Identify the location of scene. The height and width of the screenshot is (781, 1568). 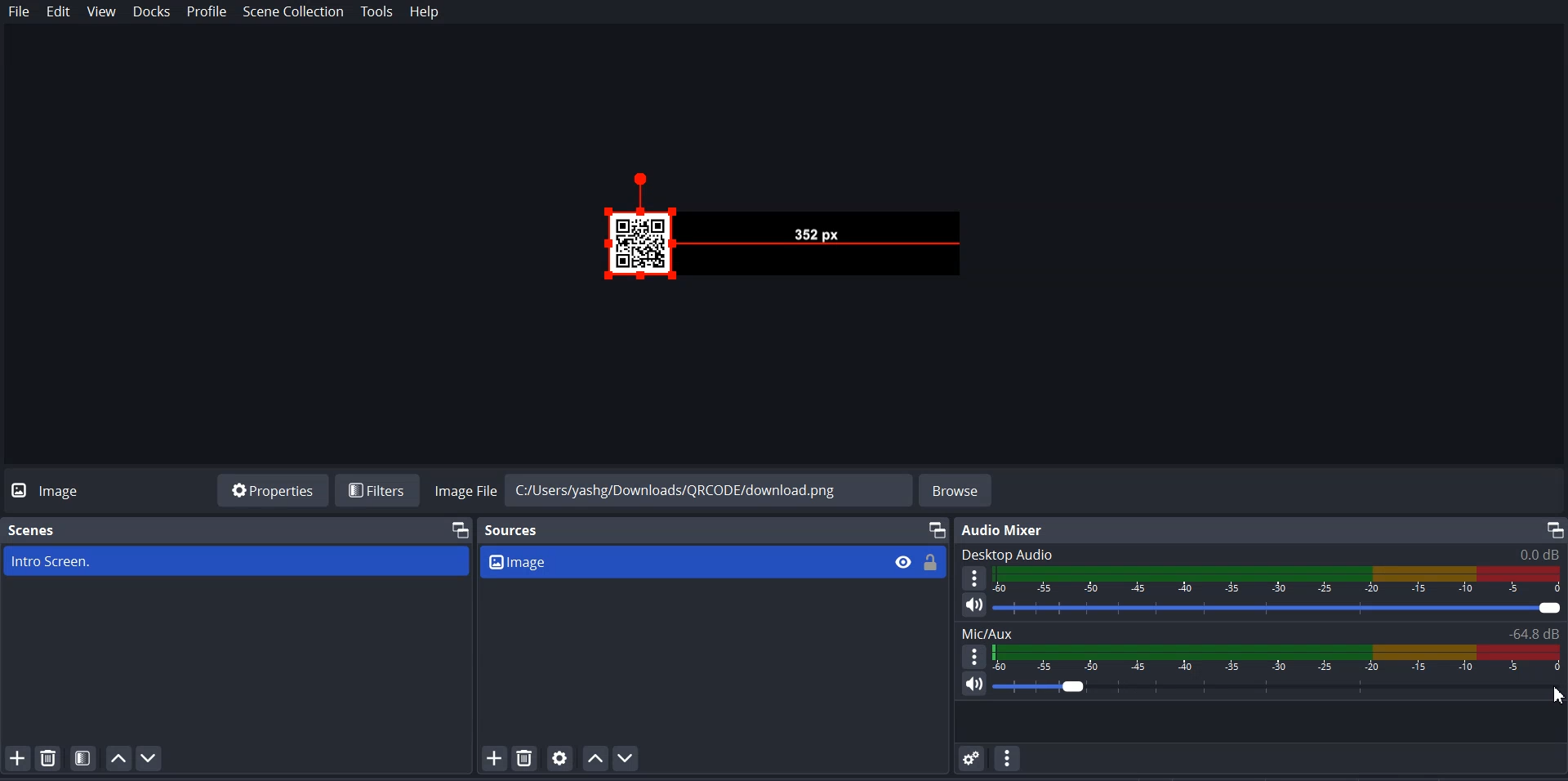
(237, 560).